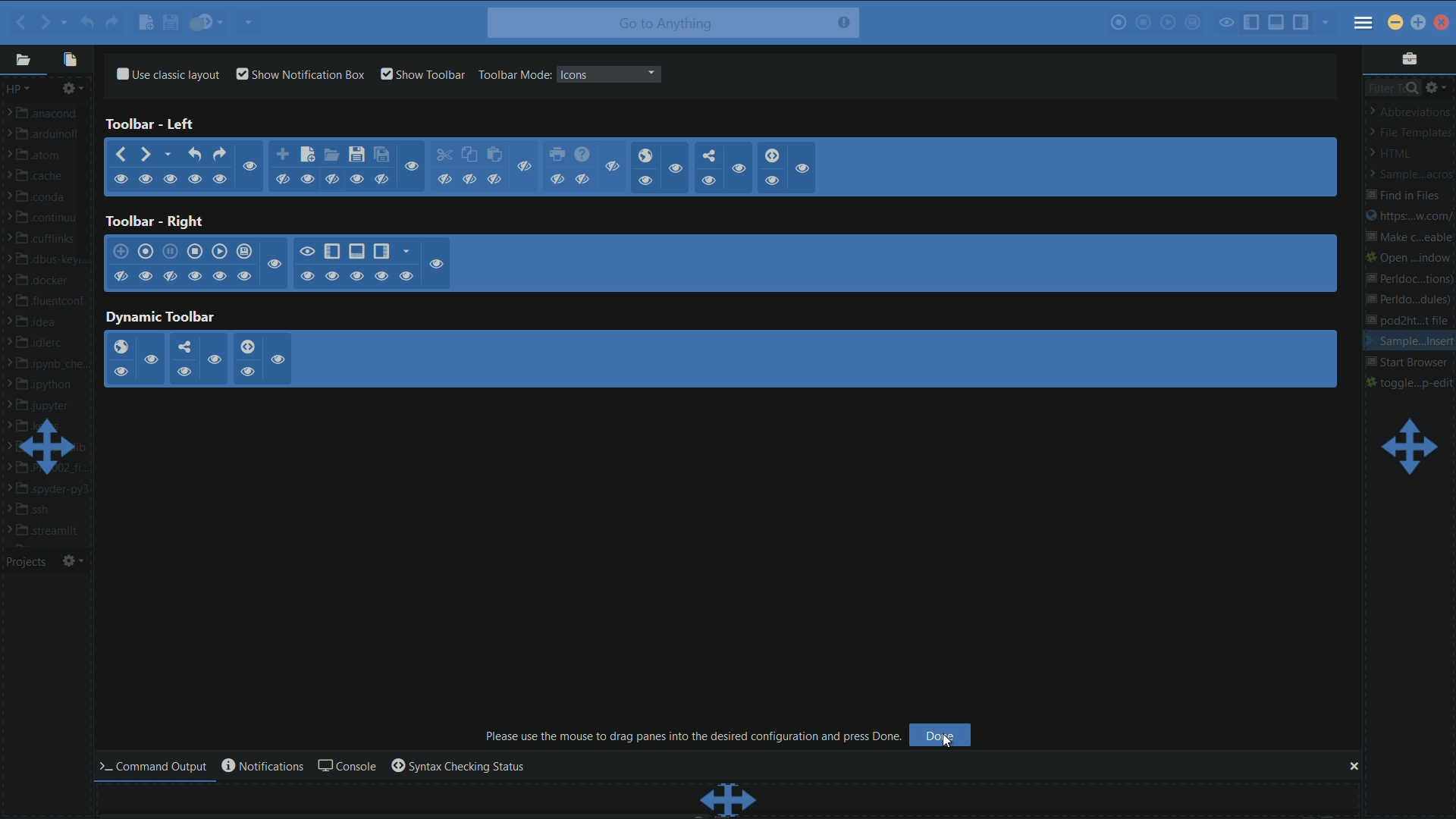 The width and height of the screenshot is (1456, 819). What do you see at coordinates (673, 24) in the screenshot?
I see `go to anything` at bounding box center [673, 24].